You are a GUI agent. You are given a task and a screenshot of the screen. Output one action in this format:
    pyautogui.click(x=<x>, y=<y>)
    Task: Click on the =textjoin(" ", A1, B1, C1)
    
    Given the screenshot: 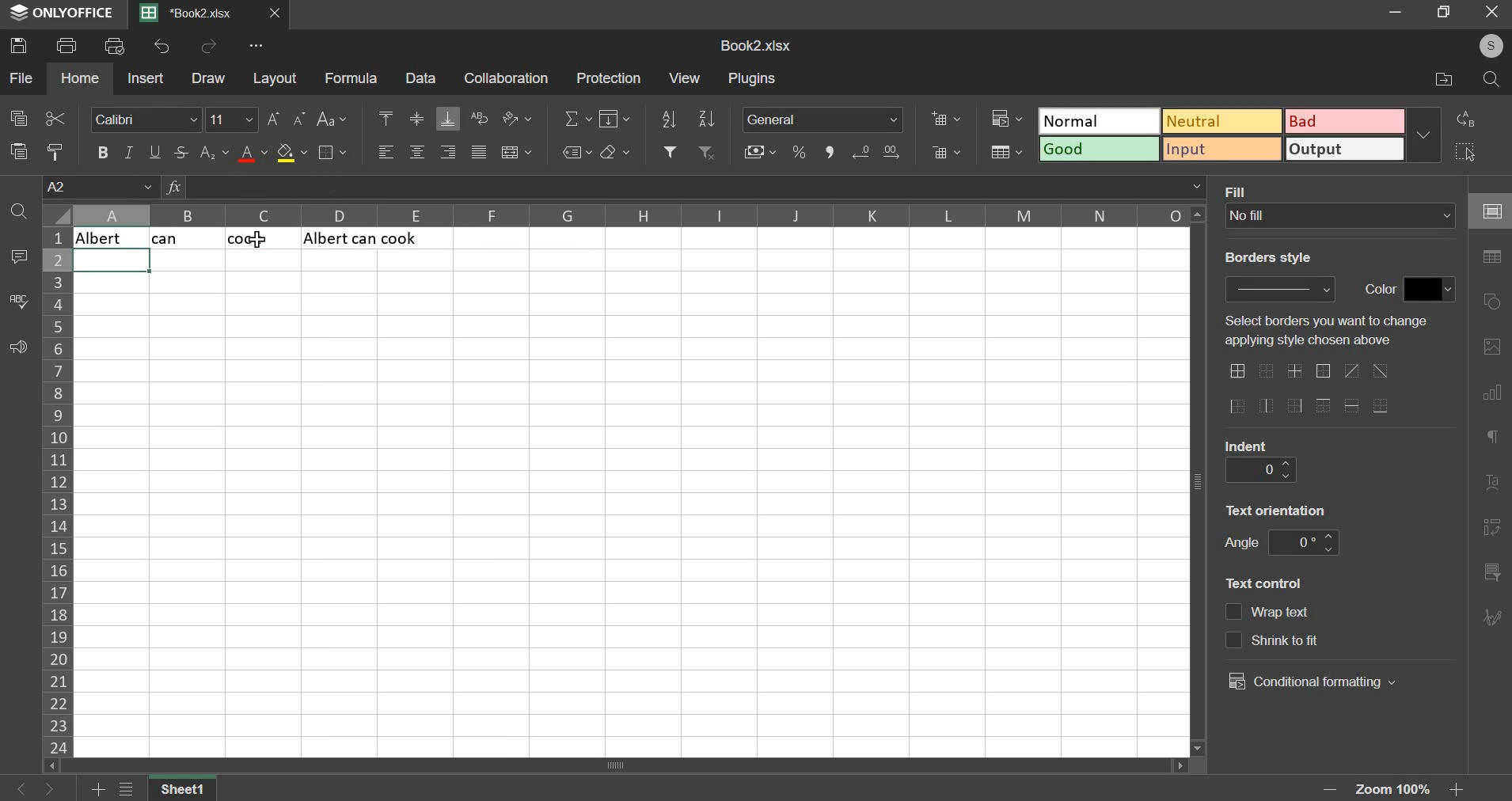 What is the action you would take?
    pyautogui.click(x=697, y=187)
    